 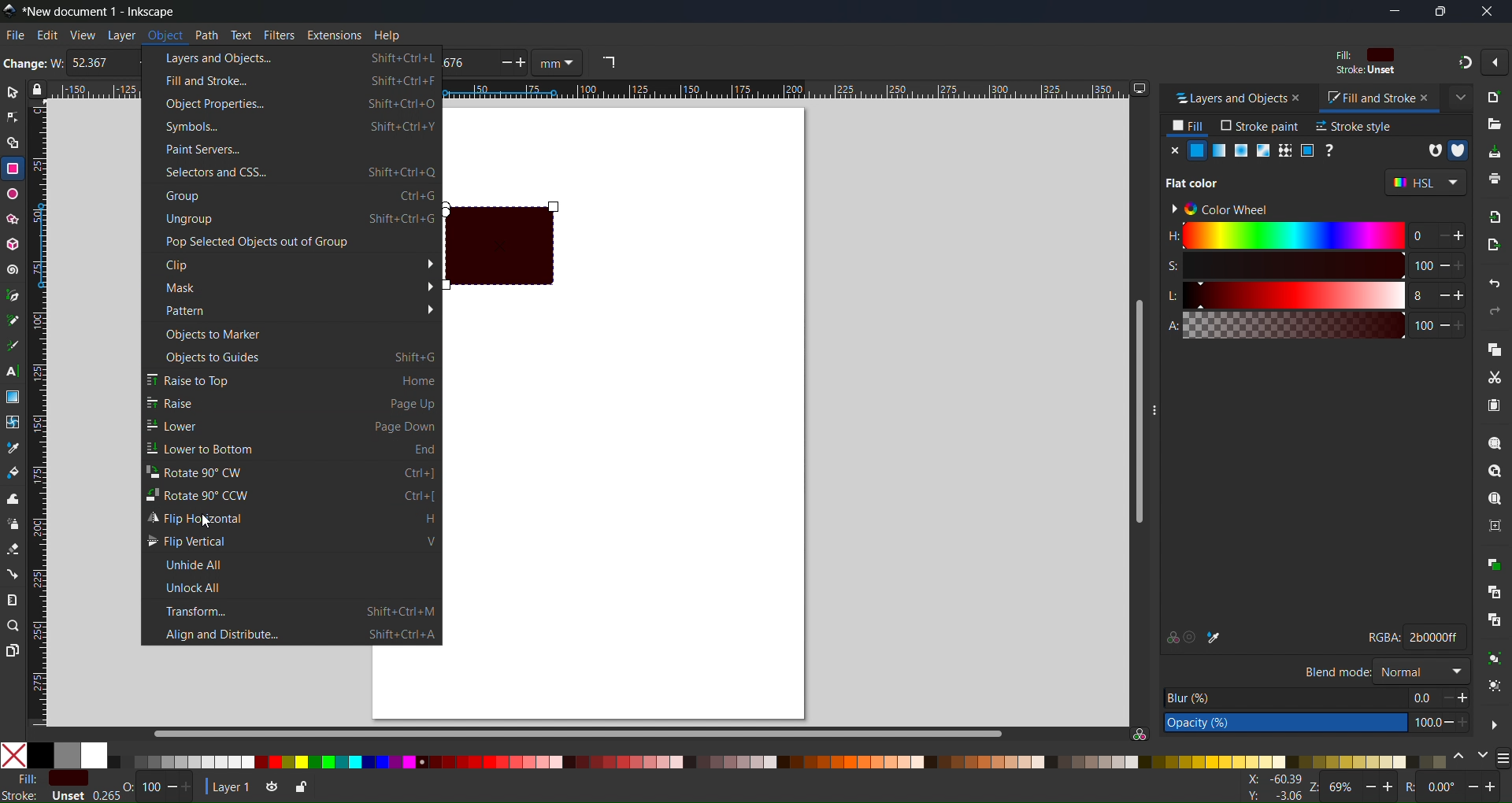 I want to click on Dropper tool, so click(x=13, y=447).